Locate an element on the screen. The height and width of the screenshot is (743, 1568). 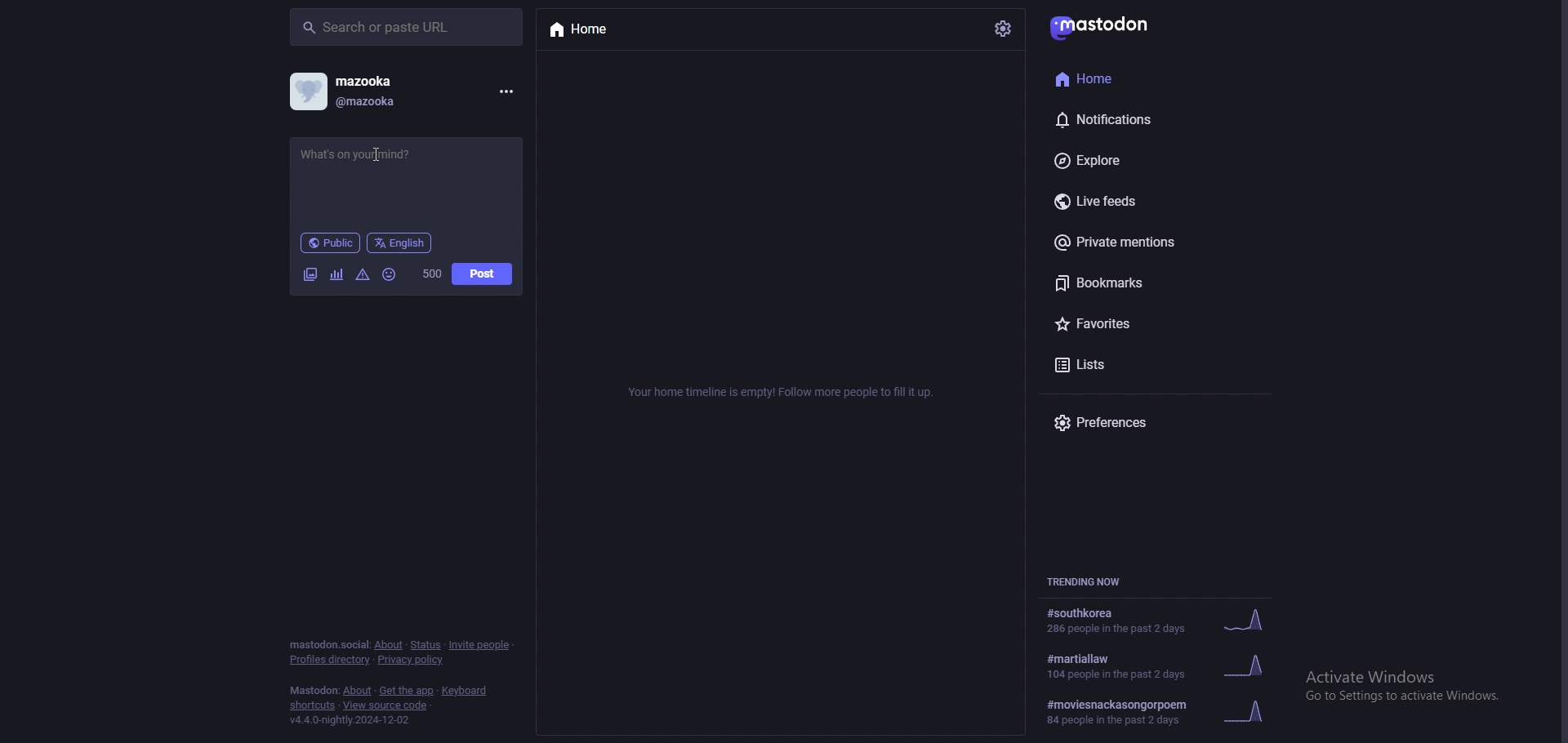
trending is located at coordinates (1159, 620).